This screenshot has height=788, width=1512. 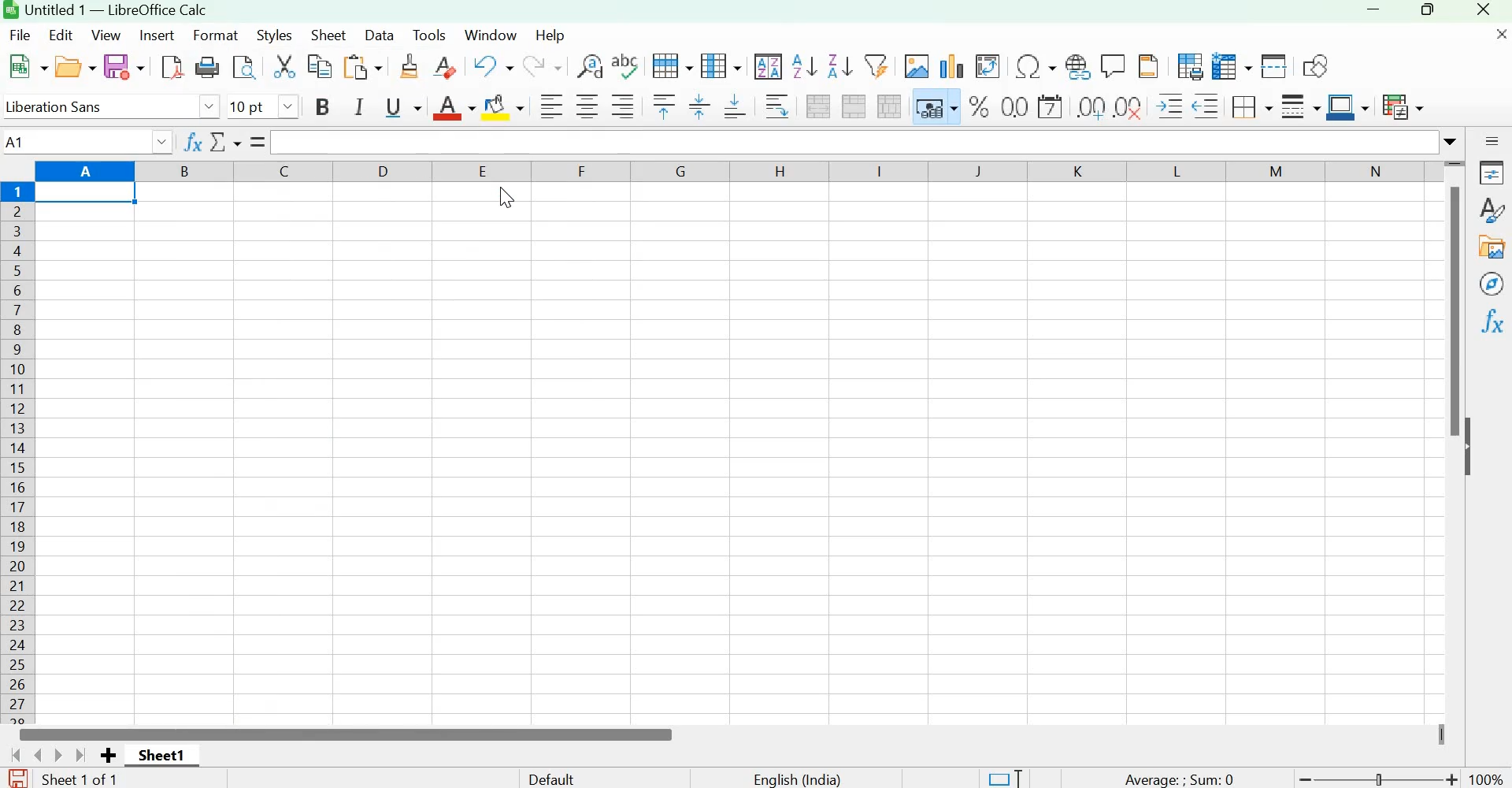 I want to click on Redo, so click(x=541, y=67).